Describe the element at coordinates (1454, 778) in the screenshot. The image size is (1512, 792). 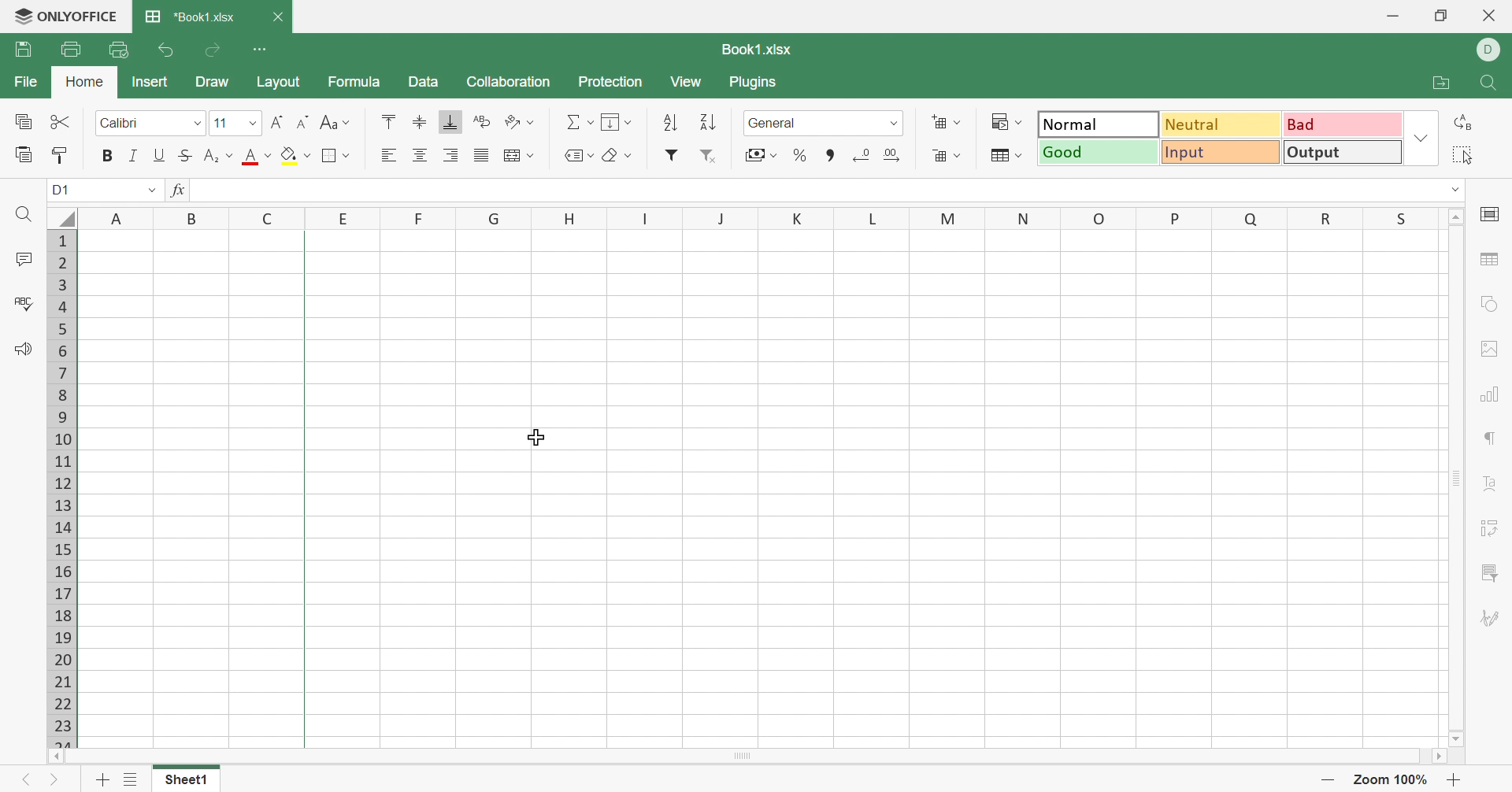
I see `Zoom in` at that location.